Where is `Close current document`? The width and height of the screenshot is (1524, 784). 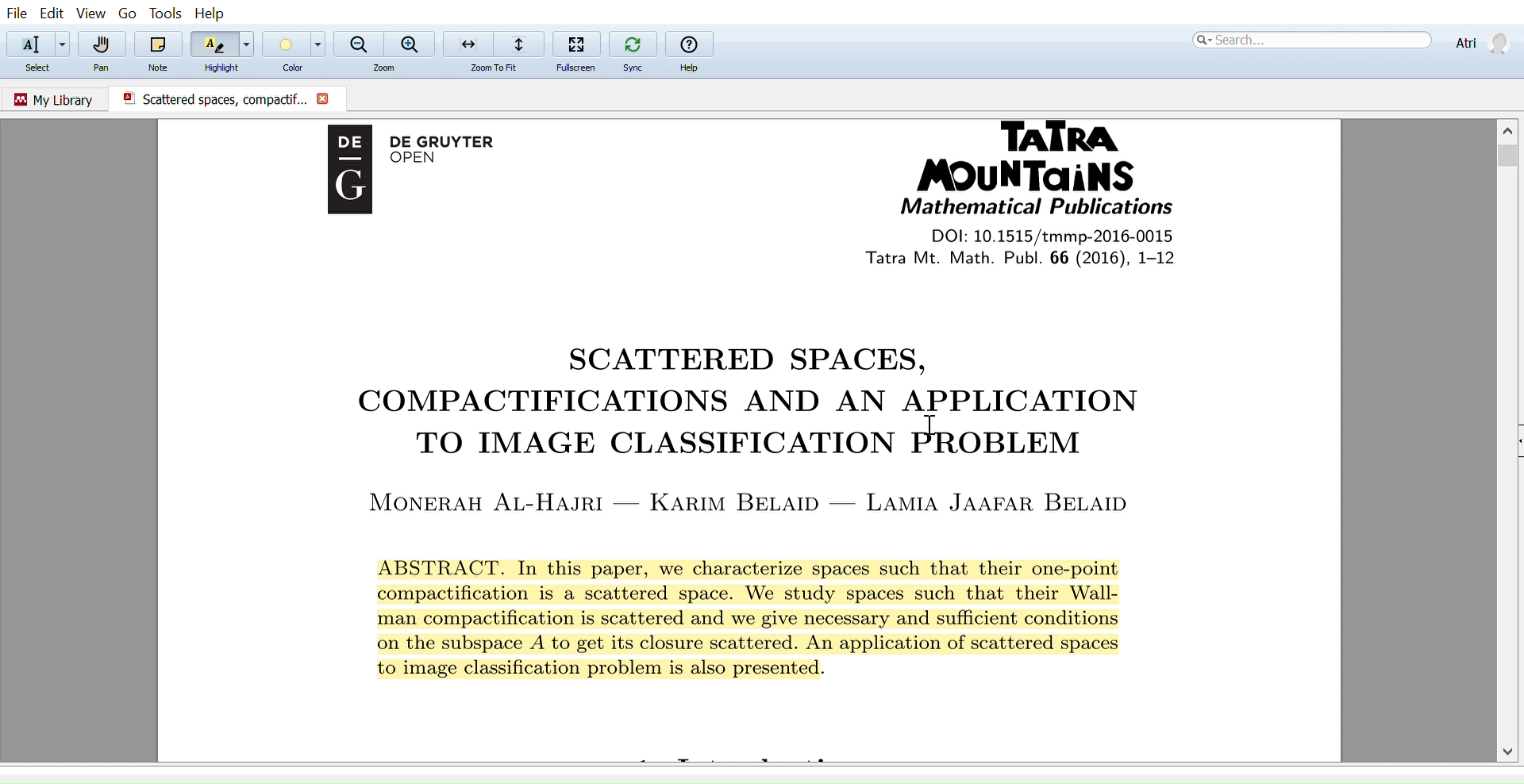 Close current document is located at coordinates (324, 100).